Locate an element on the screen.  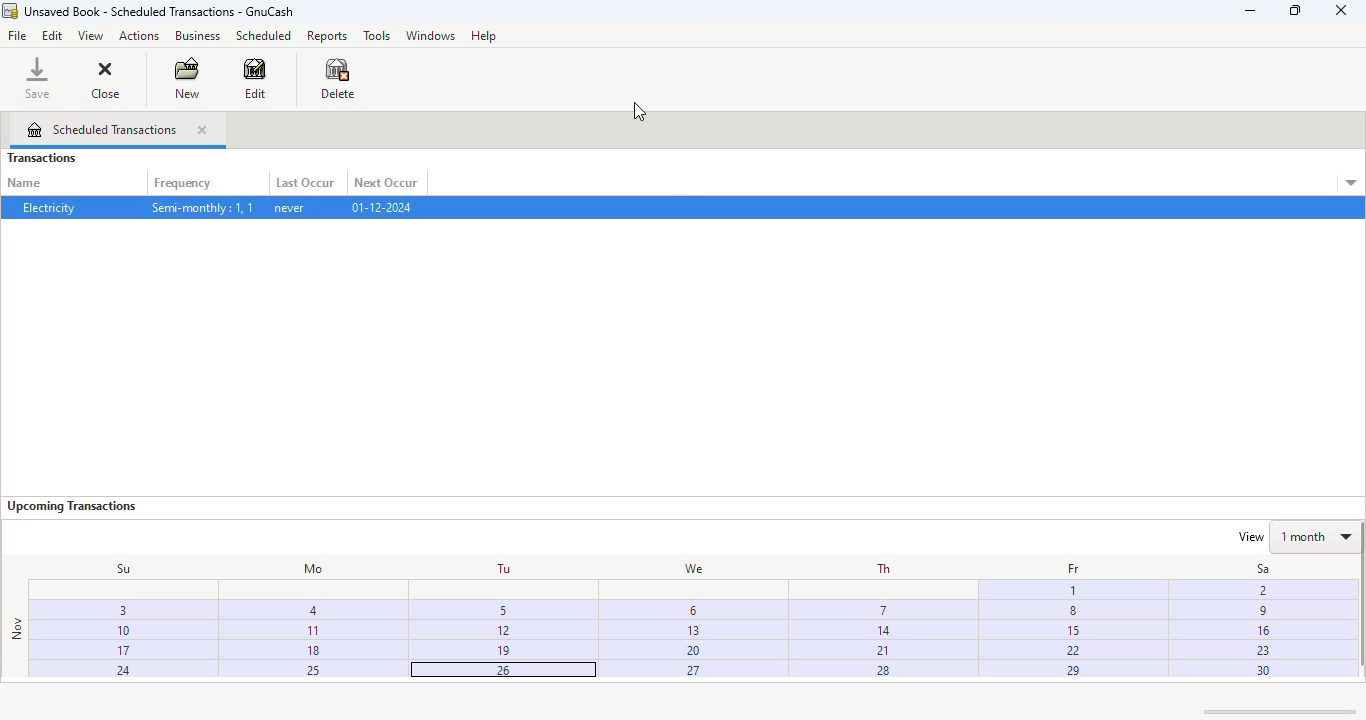
20 is located at coordinates (692, 651).